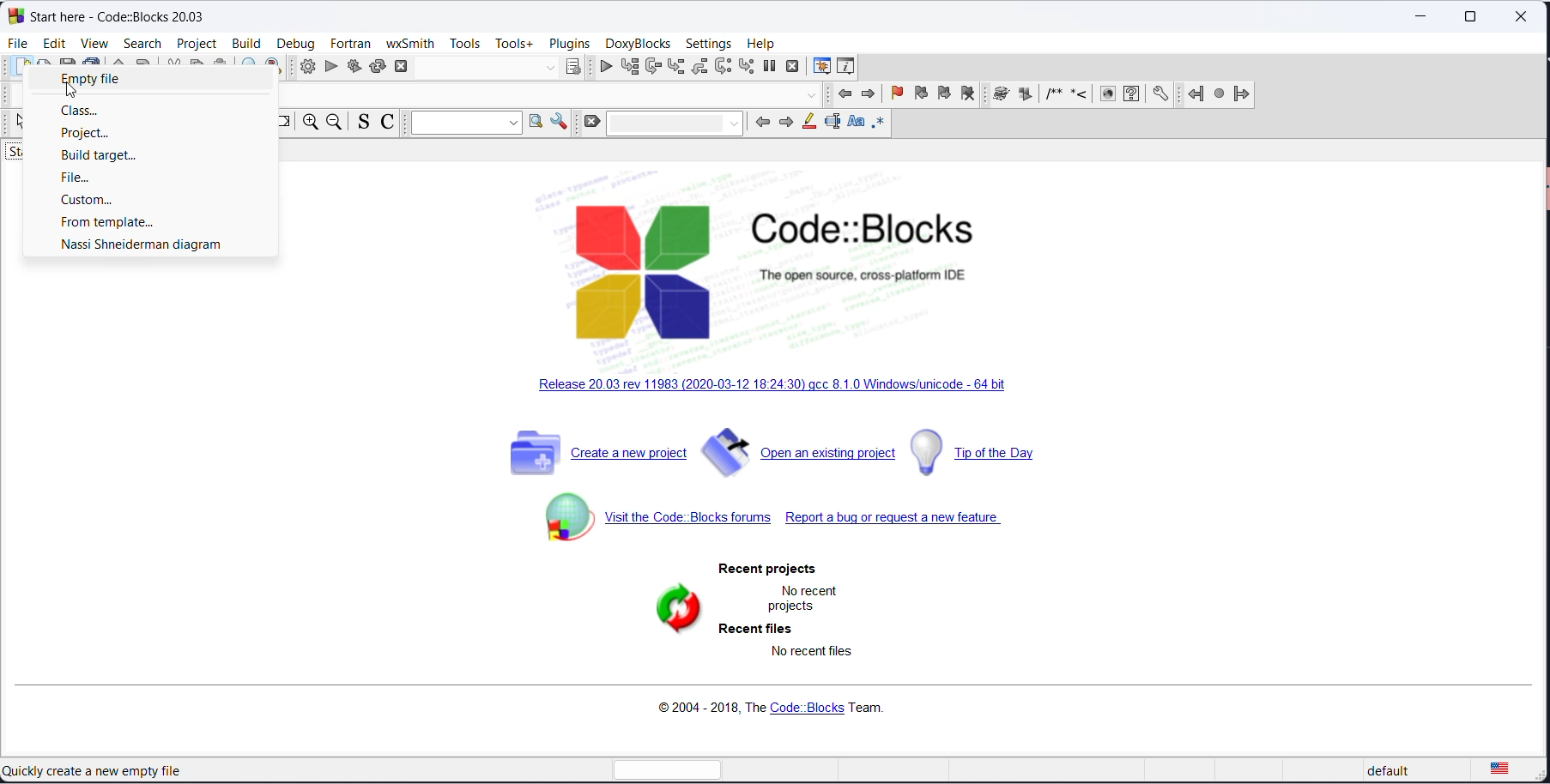  What do you see at coordinates (810, 125) in the screenshot?
I see `highlight` at bounding box center [810, 125].